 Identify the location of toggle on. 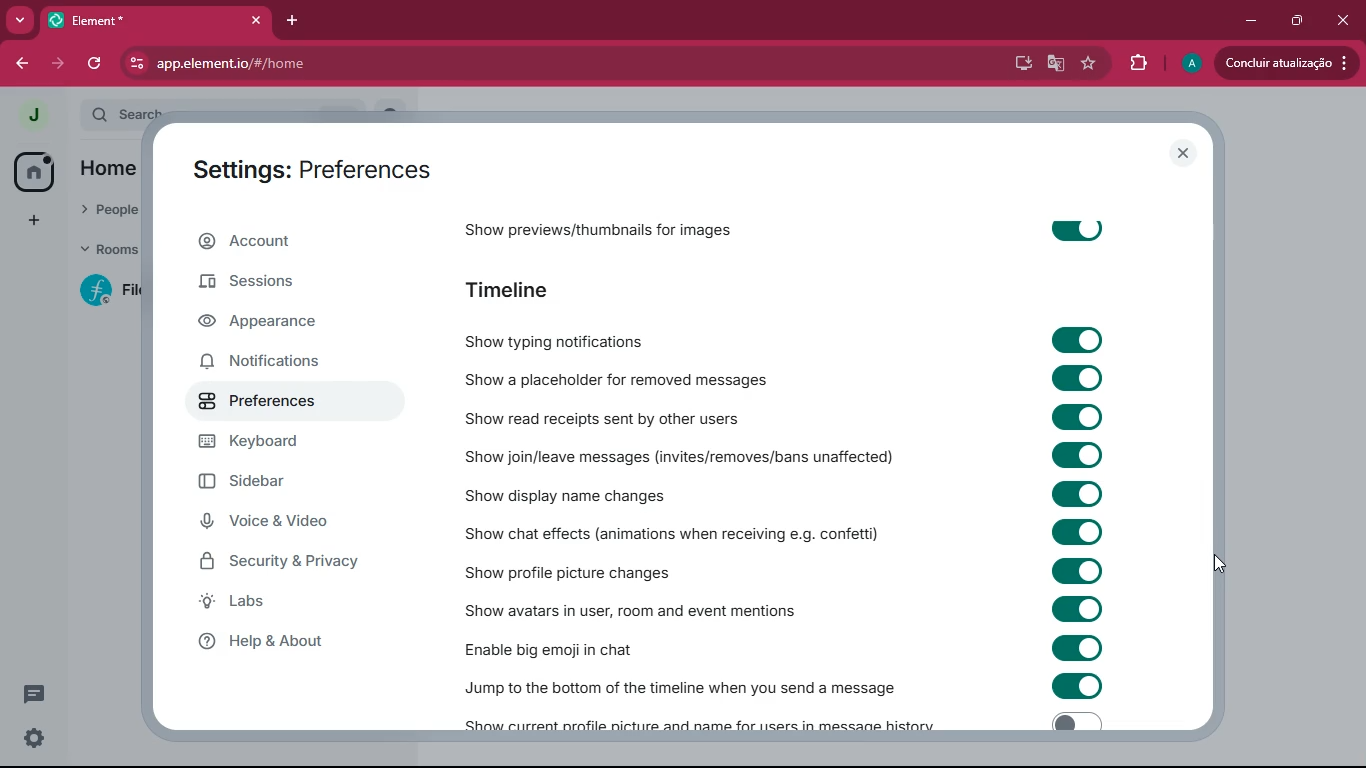
(1075, 229).